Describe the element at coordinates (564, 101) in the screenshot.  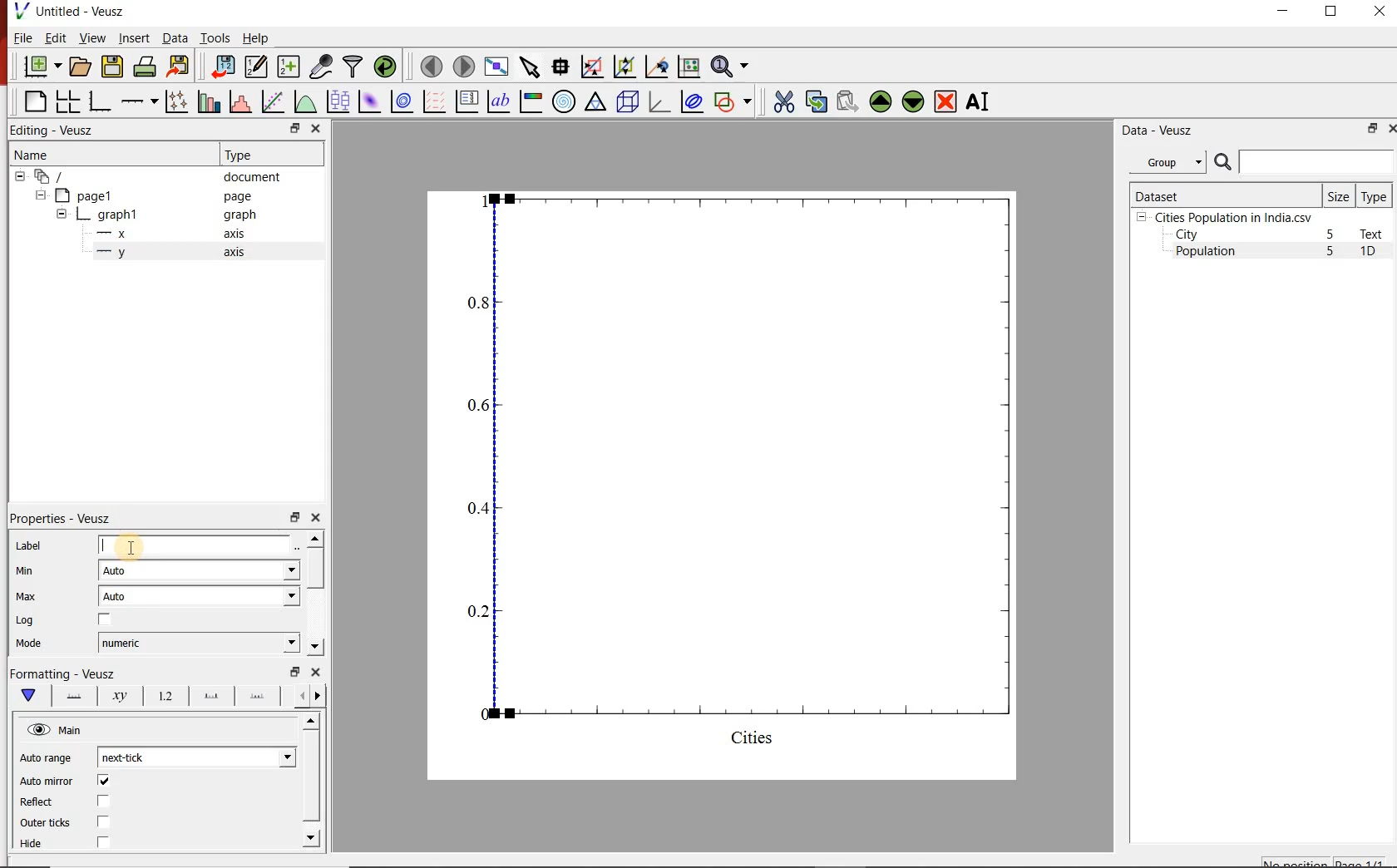
I see `polar graph` at that location.